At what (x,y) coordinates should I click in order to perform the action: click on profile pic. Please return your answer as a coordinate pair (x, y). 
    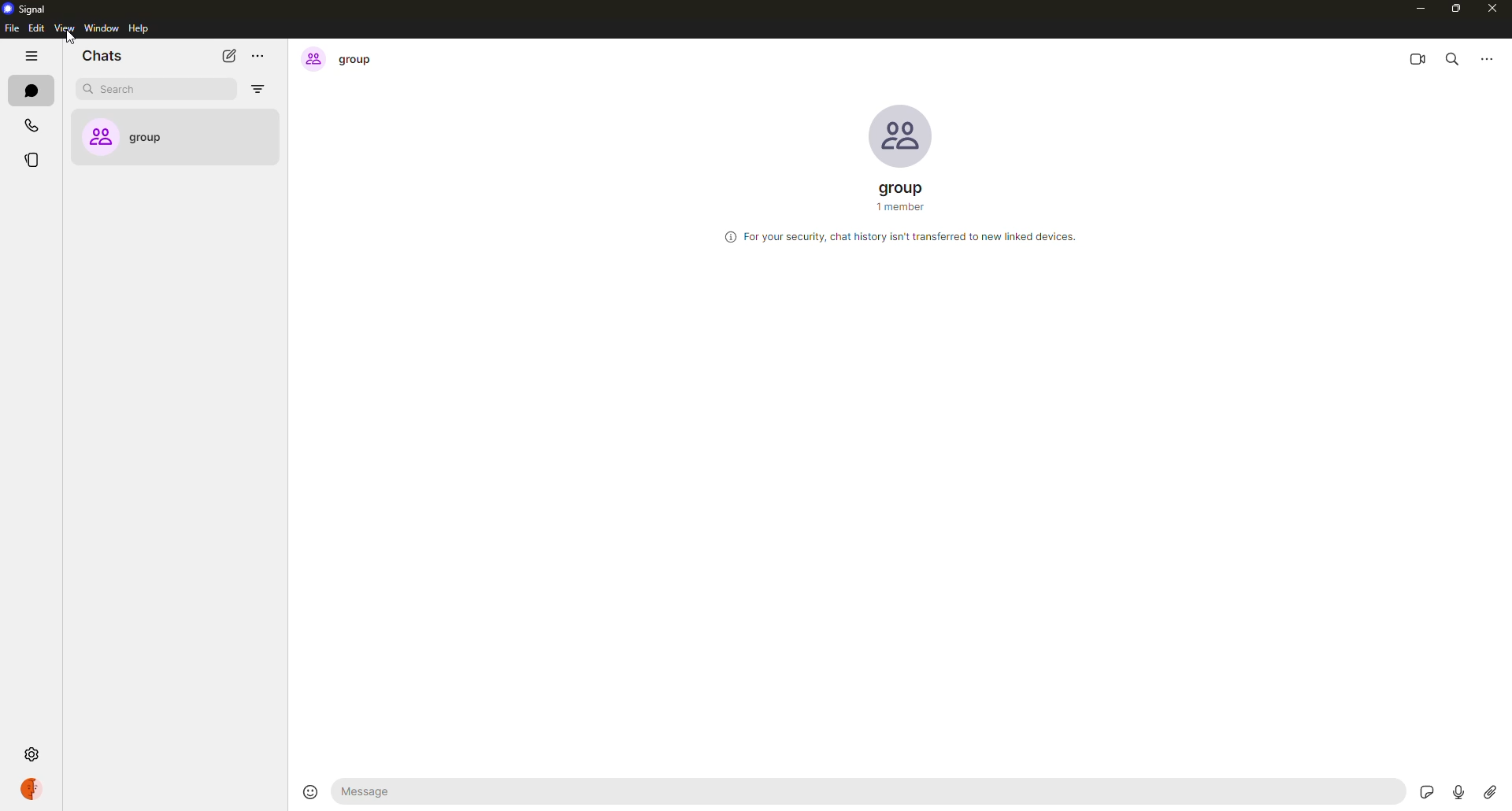
    Looking at the image, I should click on (901, 137).